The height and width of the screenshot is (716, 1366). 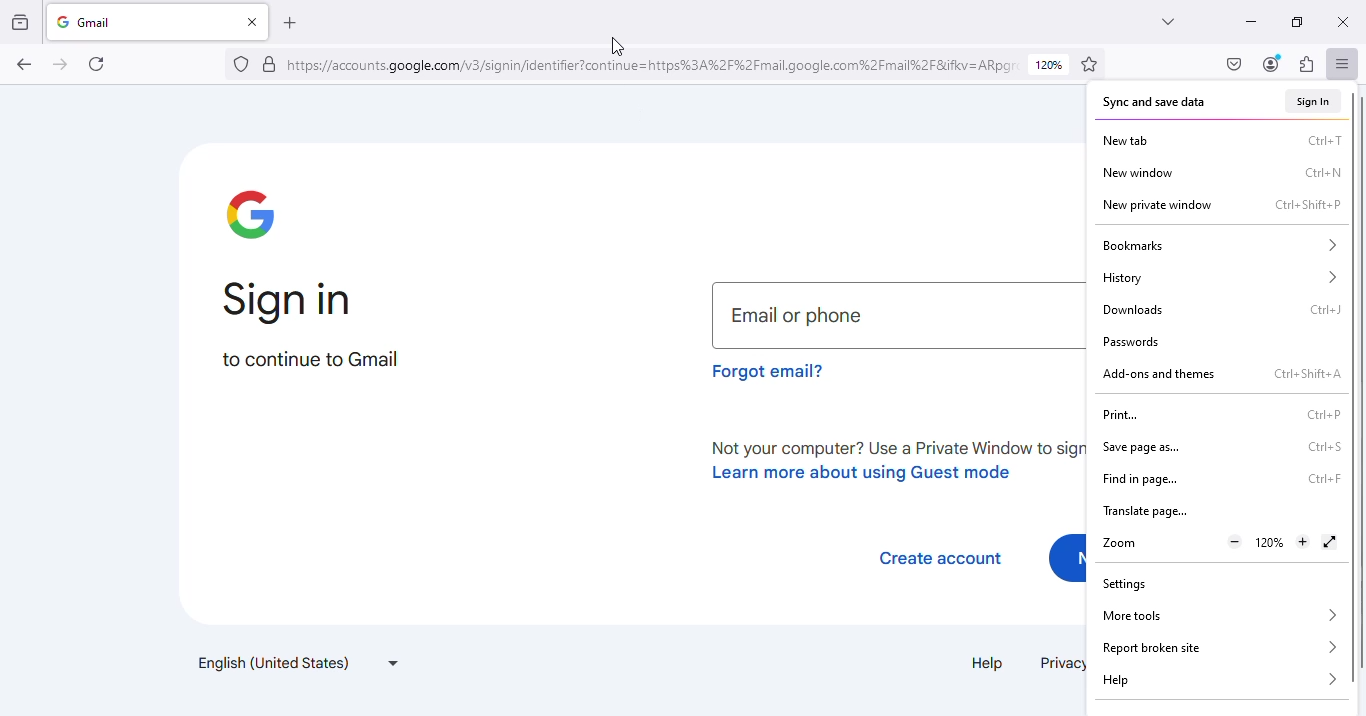 I want to click on view recent browsing across windows and devices, so click(x=21, y=22).